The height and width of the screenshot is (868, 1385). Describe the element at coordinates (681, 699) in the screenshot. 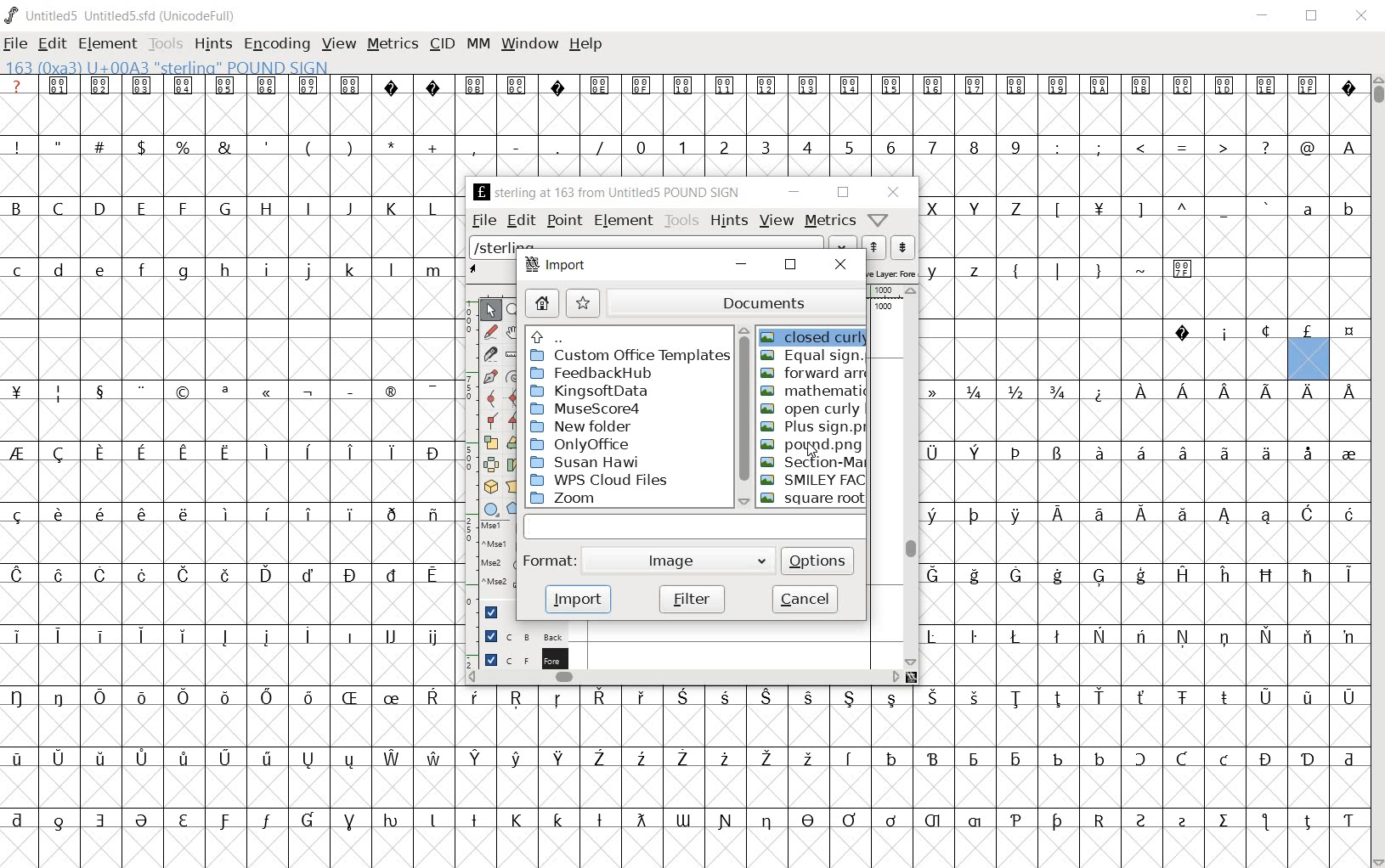

I see `Symbol` at that location.